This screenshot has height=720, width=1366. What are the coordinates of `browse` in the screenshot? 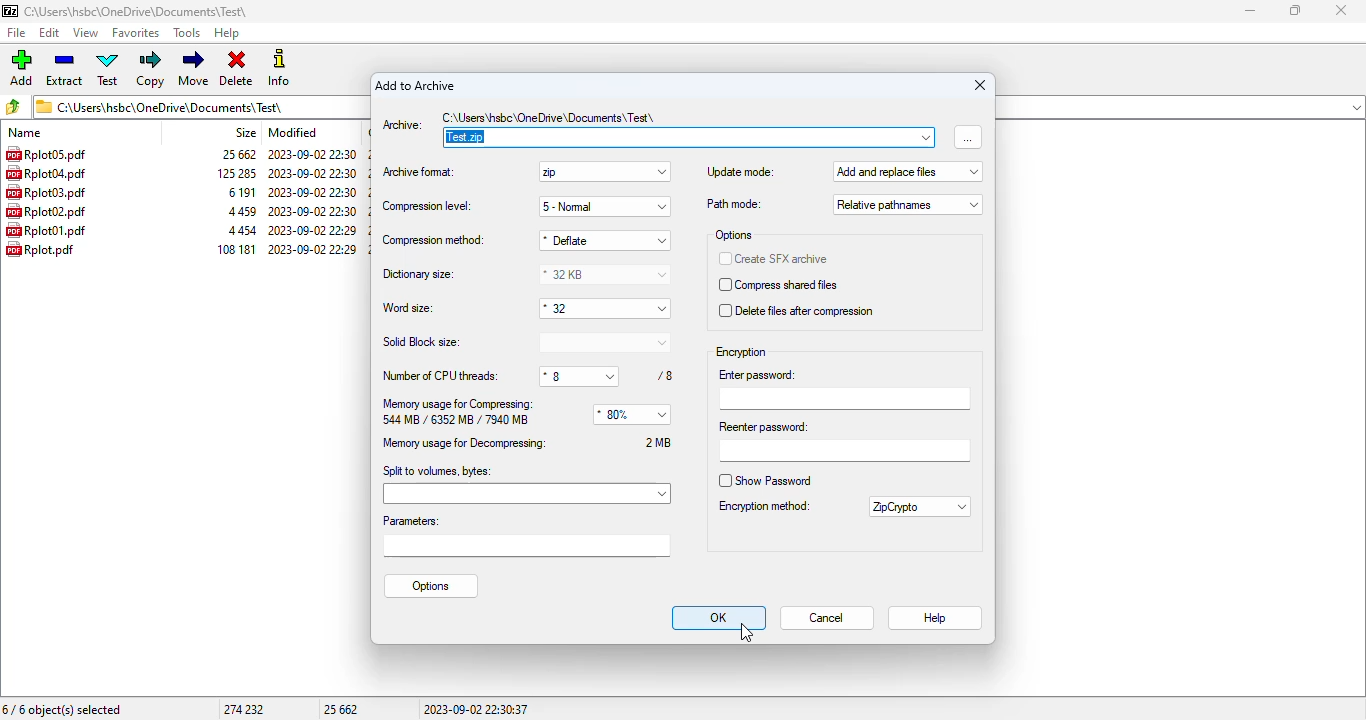 It's located at (967, 137).